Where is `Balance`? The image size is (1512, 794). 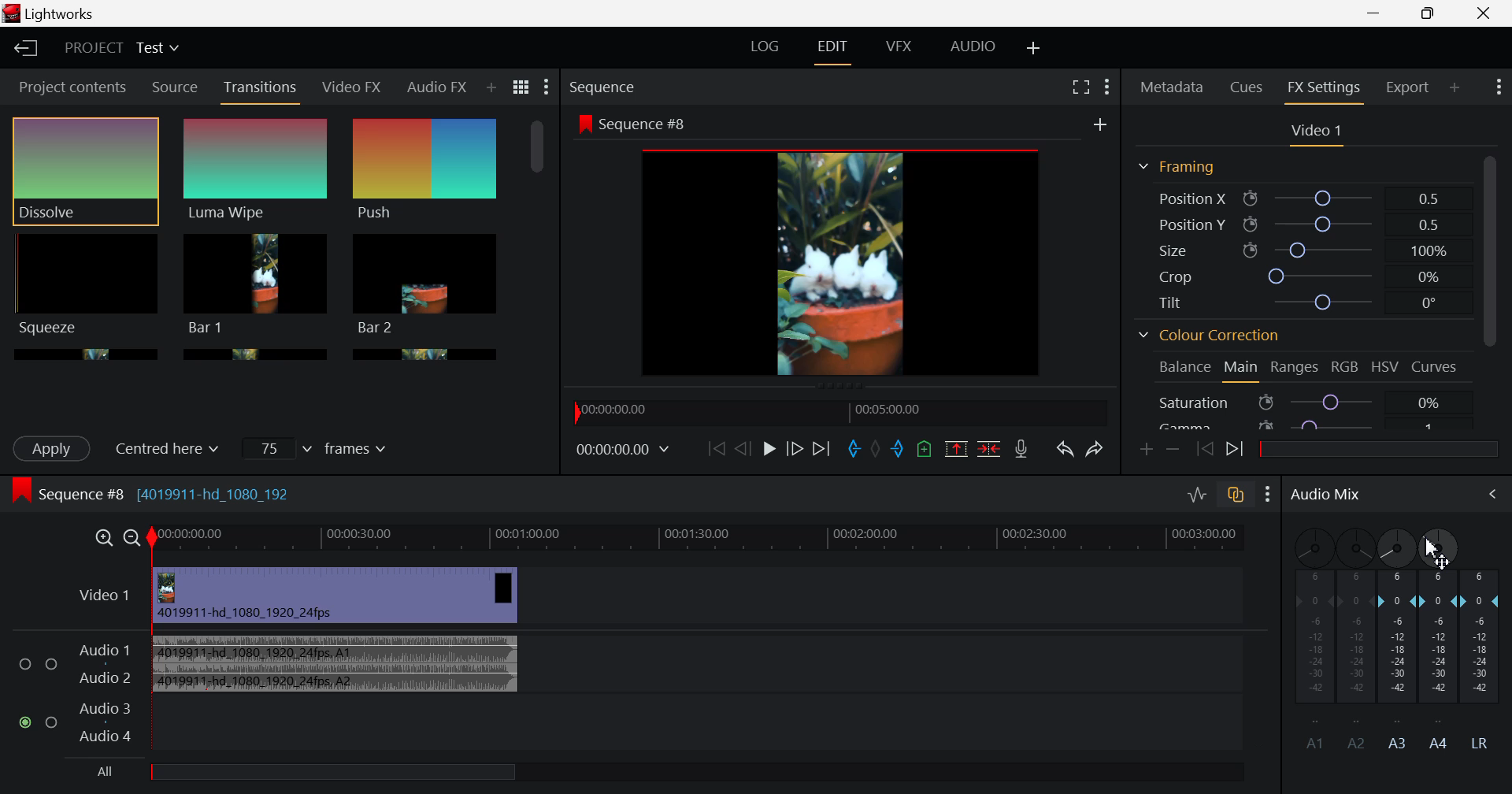 Balance is located at coordinates (1183, 368).